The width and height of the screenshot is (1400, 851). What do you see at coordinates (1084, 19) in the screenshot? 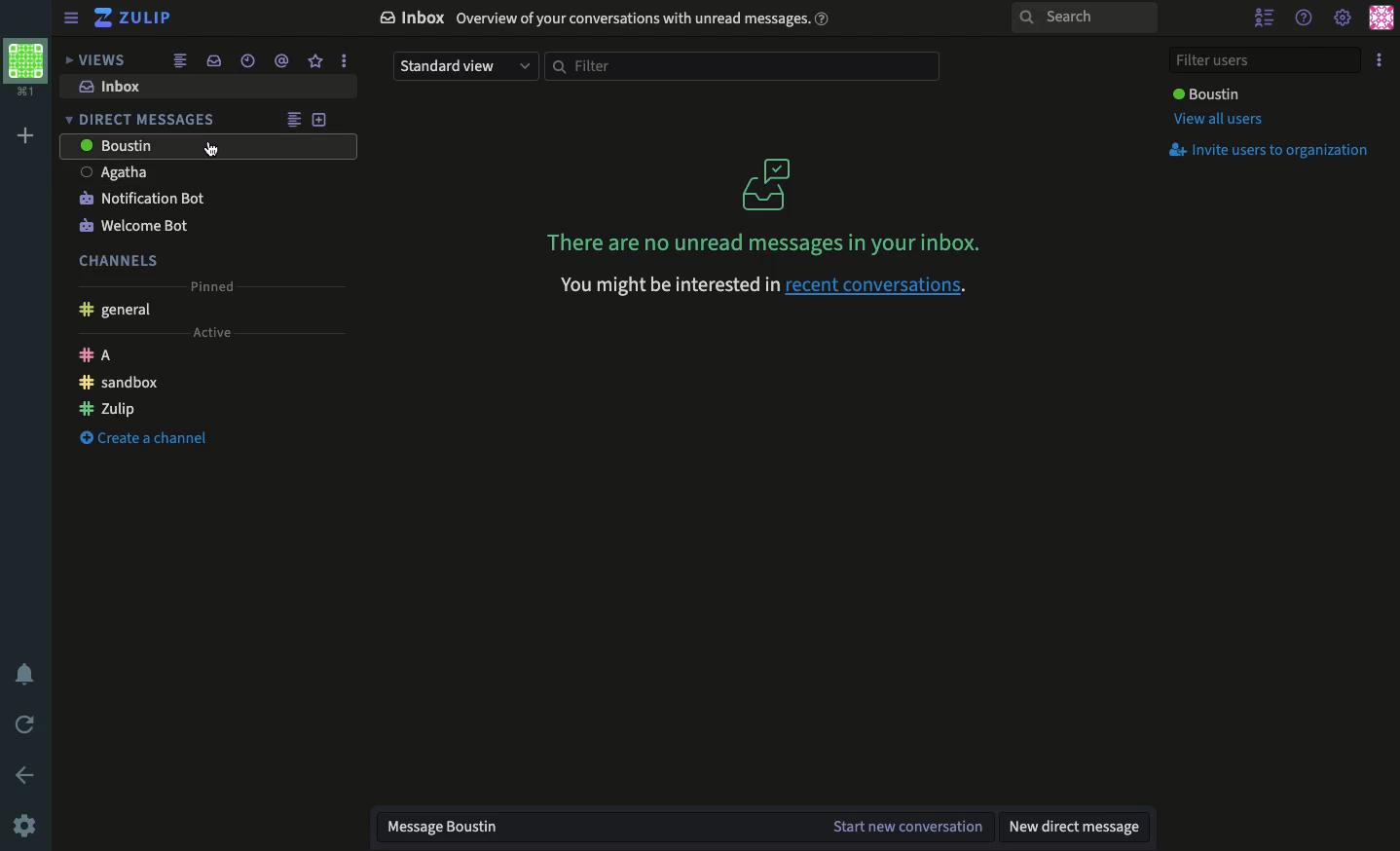
I see `Search` at bounding box center [1084, 19].